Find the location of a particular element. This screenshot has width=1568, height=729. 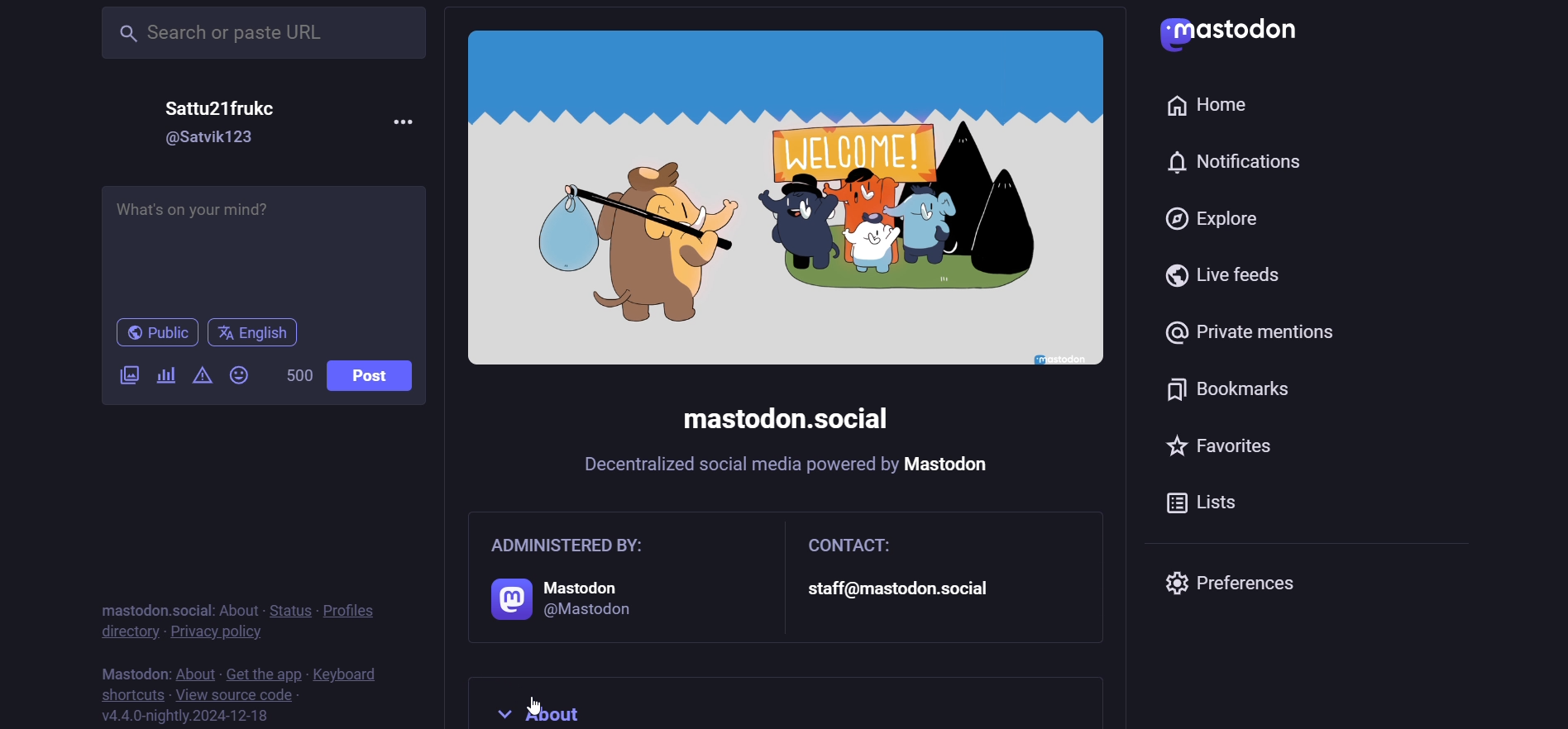

post is located at coordinates (377, 375).